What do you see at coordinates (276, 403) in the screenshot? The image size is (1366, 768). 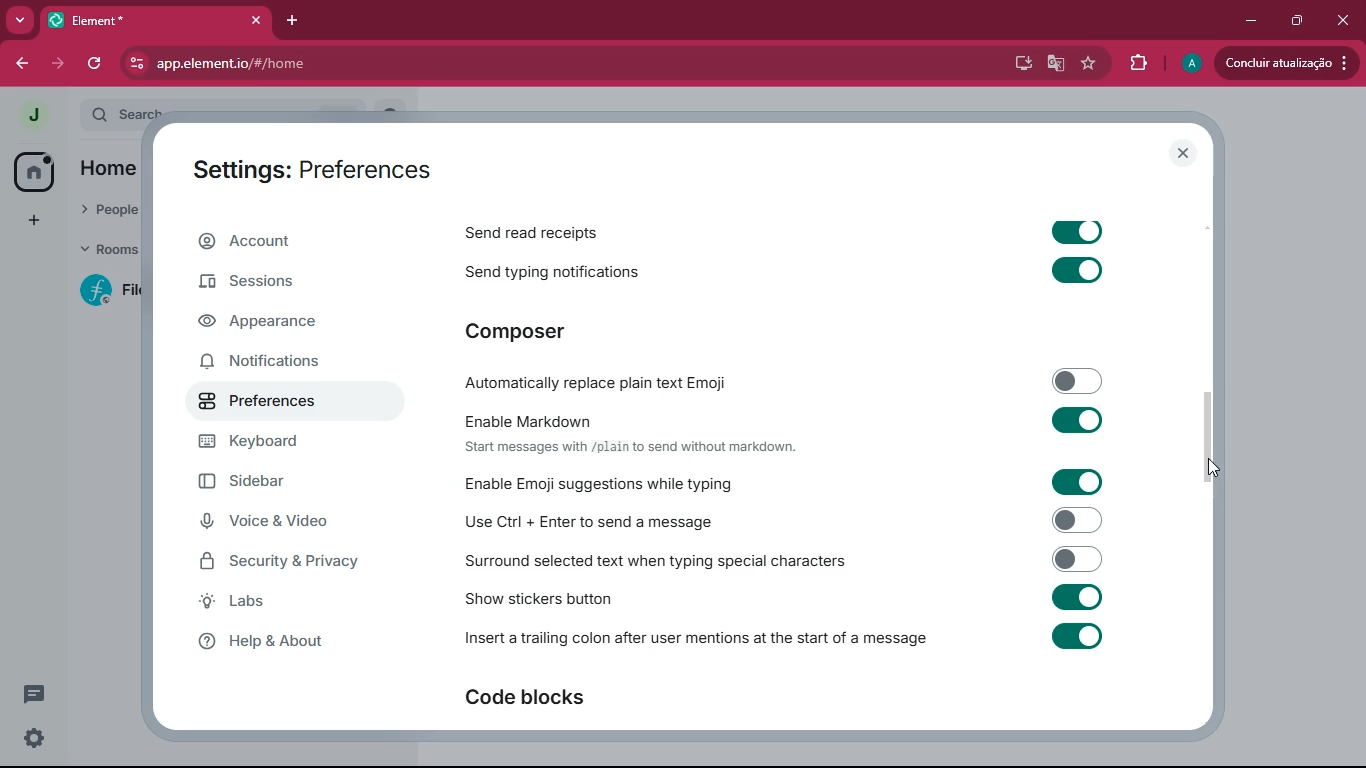 I see `preferences` at bounding box center [276, 403].